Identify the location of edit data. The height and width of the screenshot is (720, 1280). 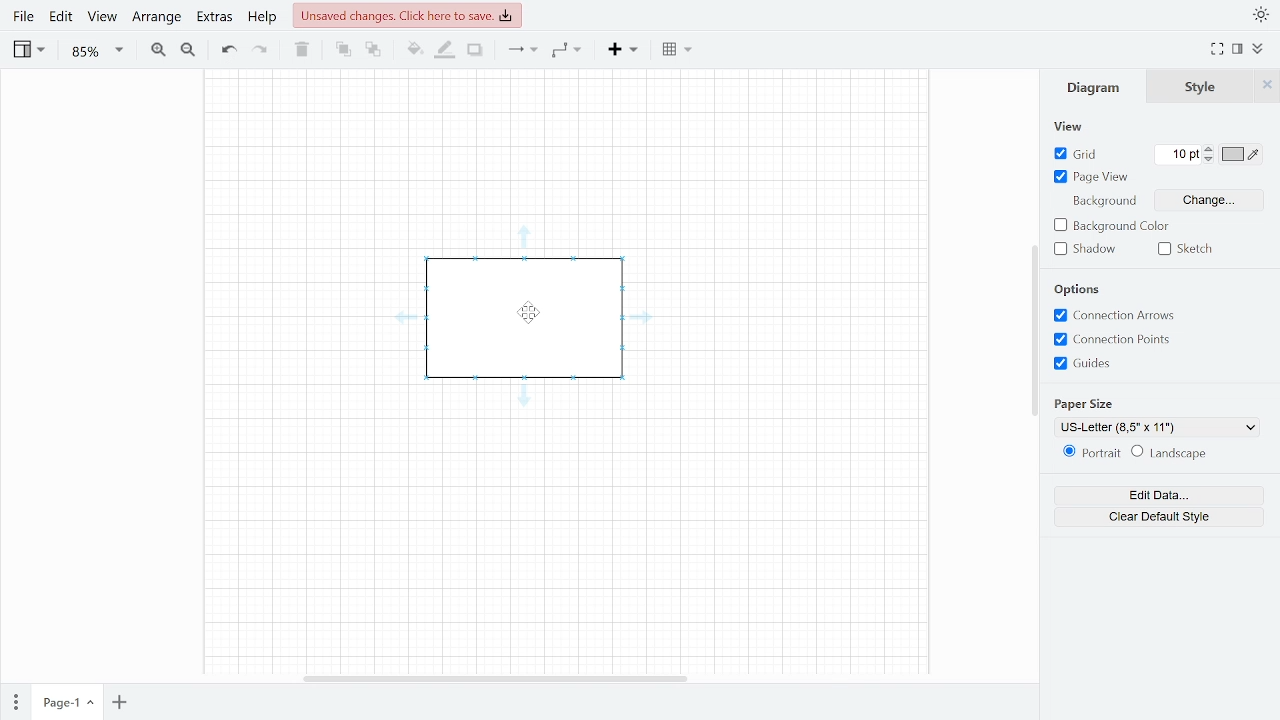
(1158, 494).